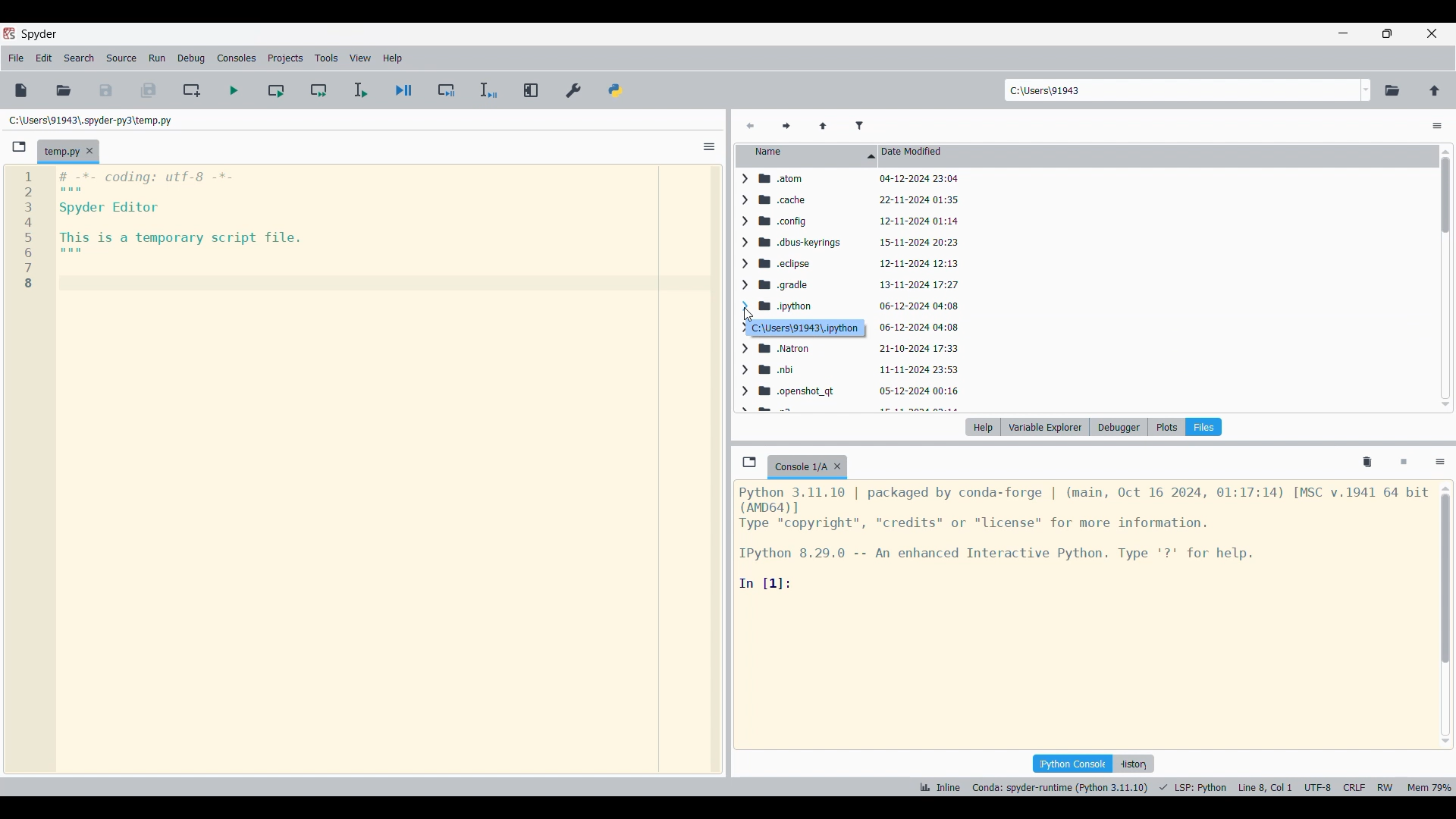 This screenshot has width=1456, height=819. Describe the element at coordinates (1387, 33) in the screenshot. I see `Show in smaller tab` at that location.